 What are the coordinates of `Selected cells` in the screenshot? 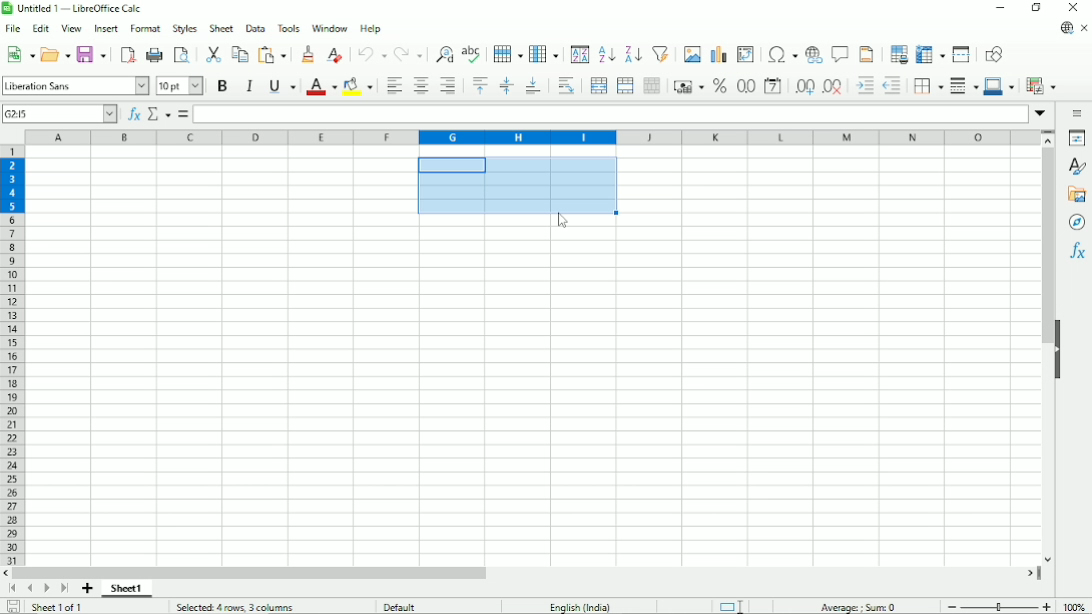 It's located at (515, 185).